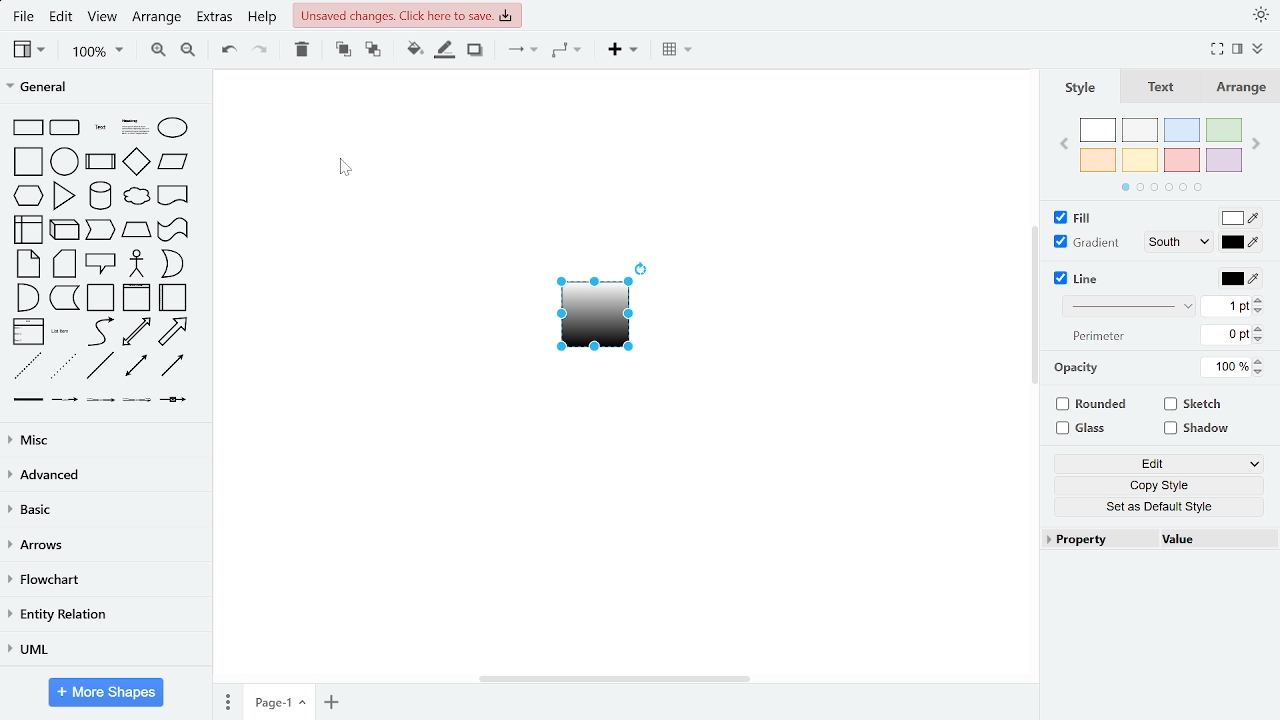 This screenshot has width=1280, height=720. Describe the element at coordinates (98, 195) in the screenshot. I see `general shapes` at that location.